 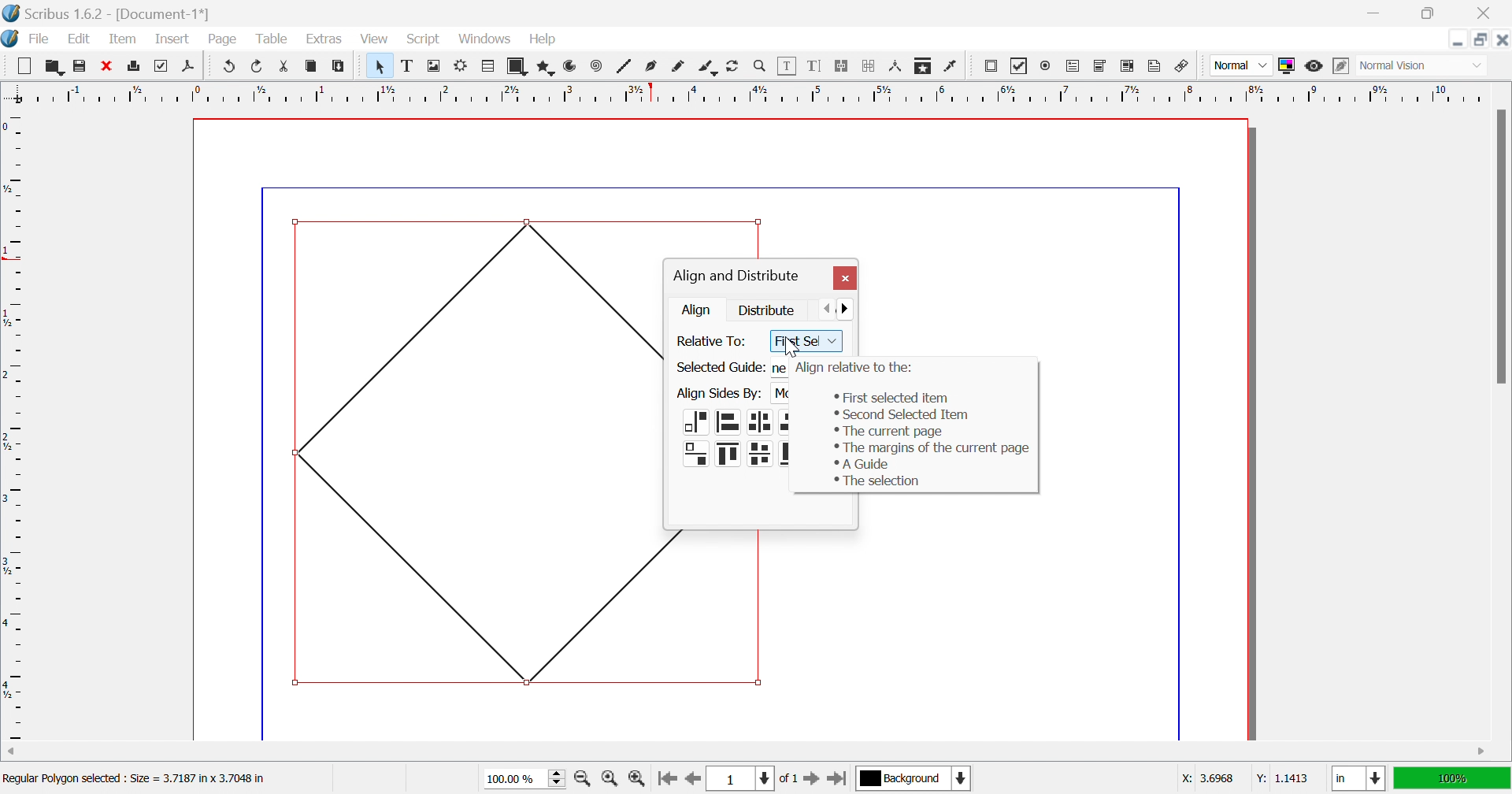 What do you see at coordinates (888, 431) in the screenshot?
I see `The current page` at bounding box center [888, 431].